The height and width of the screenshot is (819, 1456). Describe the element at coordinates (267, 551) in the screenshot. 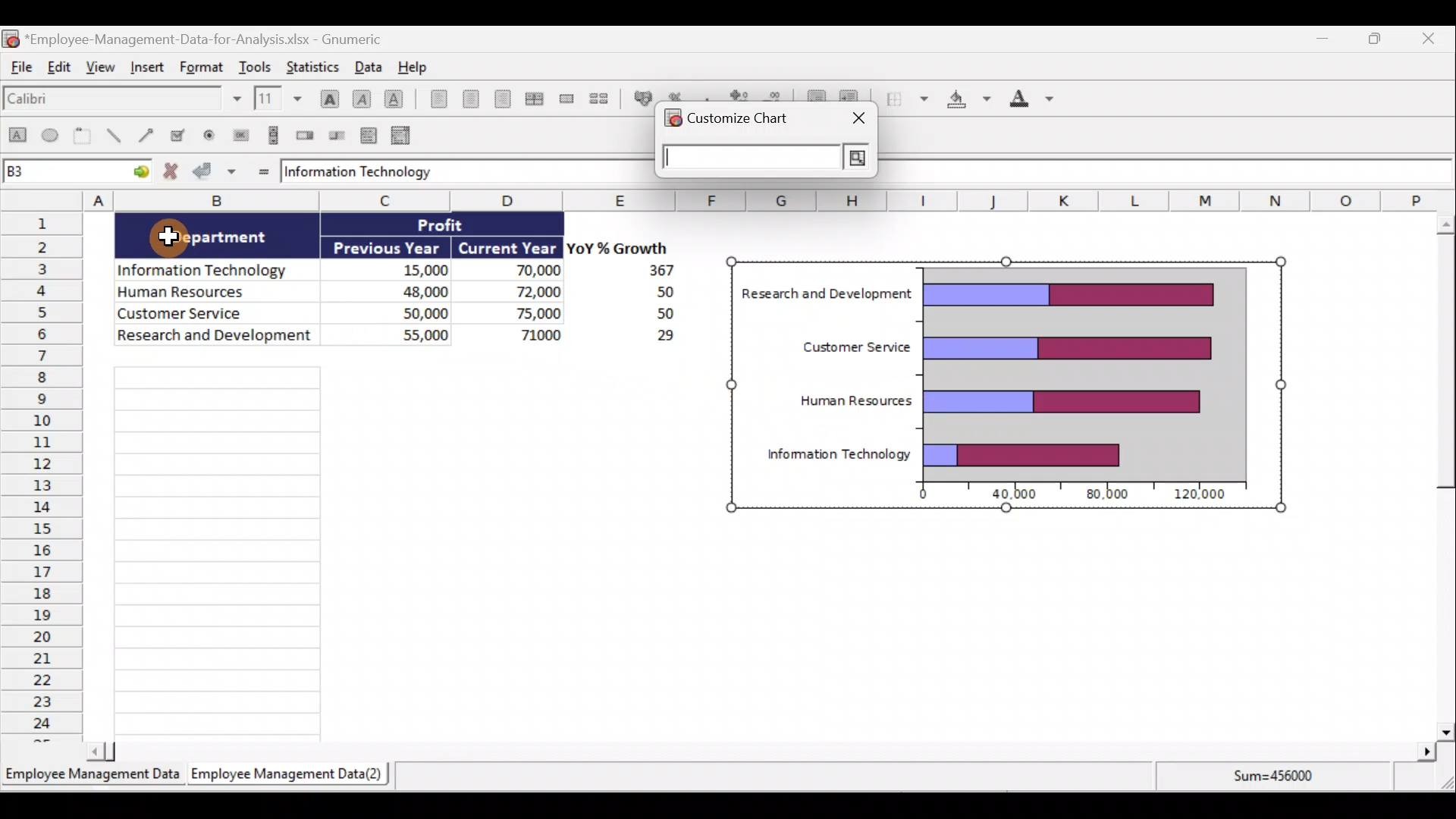

I see `Cells` at that location.